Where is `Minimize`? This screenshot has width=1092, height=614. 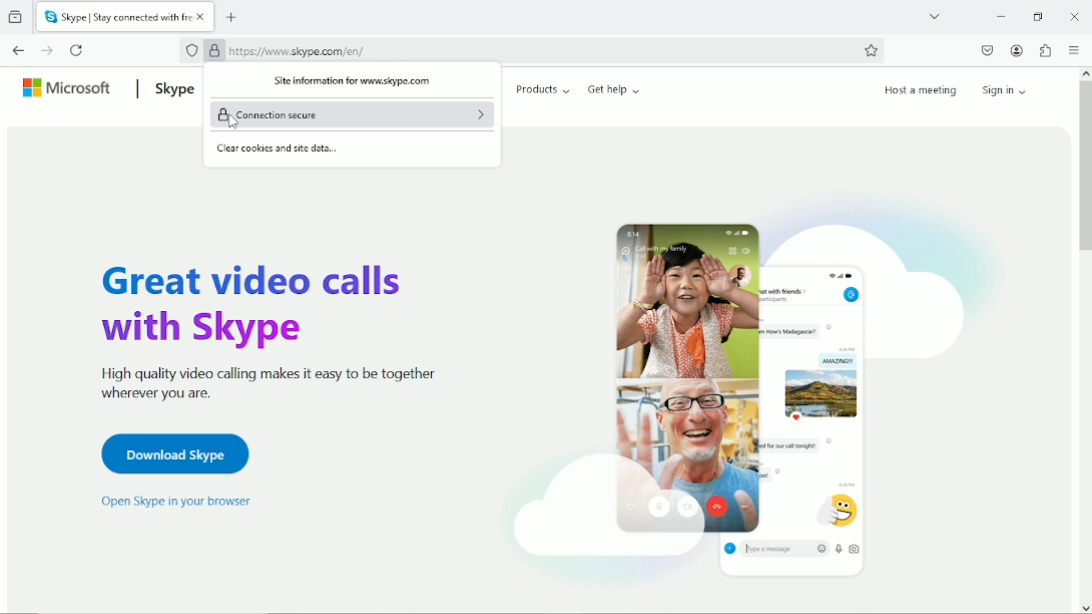 Minimize is located at coordinates (1000, 16).